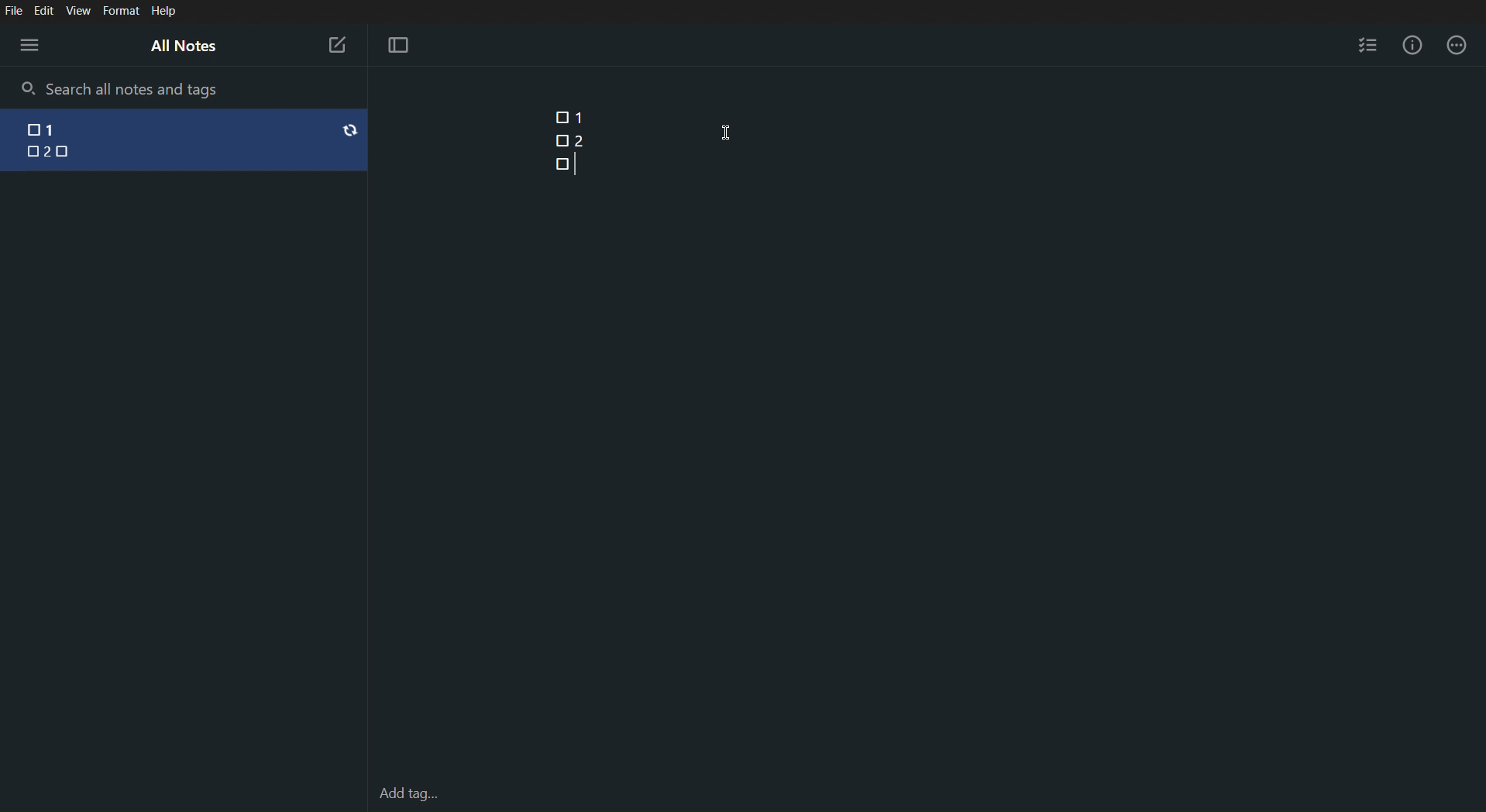 The image size is (1486, 812). What do you see at coordinates (580, 139) in the screenshot?
I see `2` at bounding box center [580, 139].